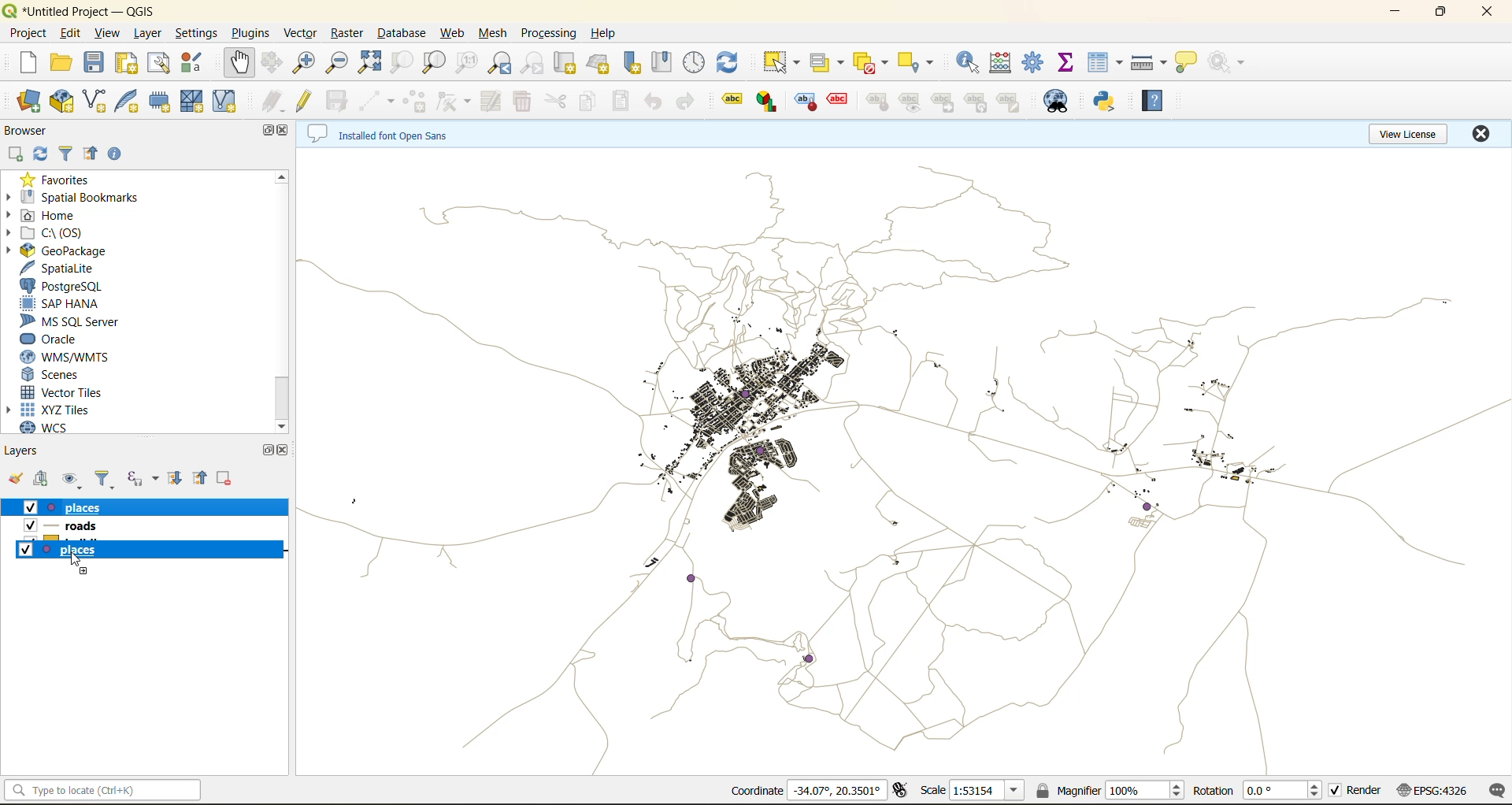  I want to click on toggle display of unplaced, so click(836, 102).